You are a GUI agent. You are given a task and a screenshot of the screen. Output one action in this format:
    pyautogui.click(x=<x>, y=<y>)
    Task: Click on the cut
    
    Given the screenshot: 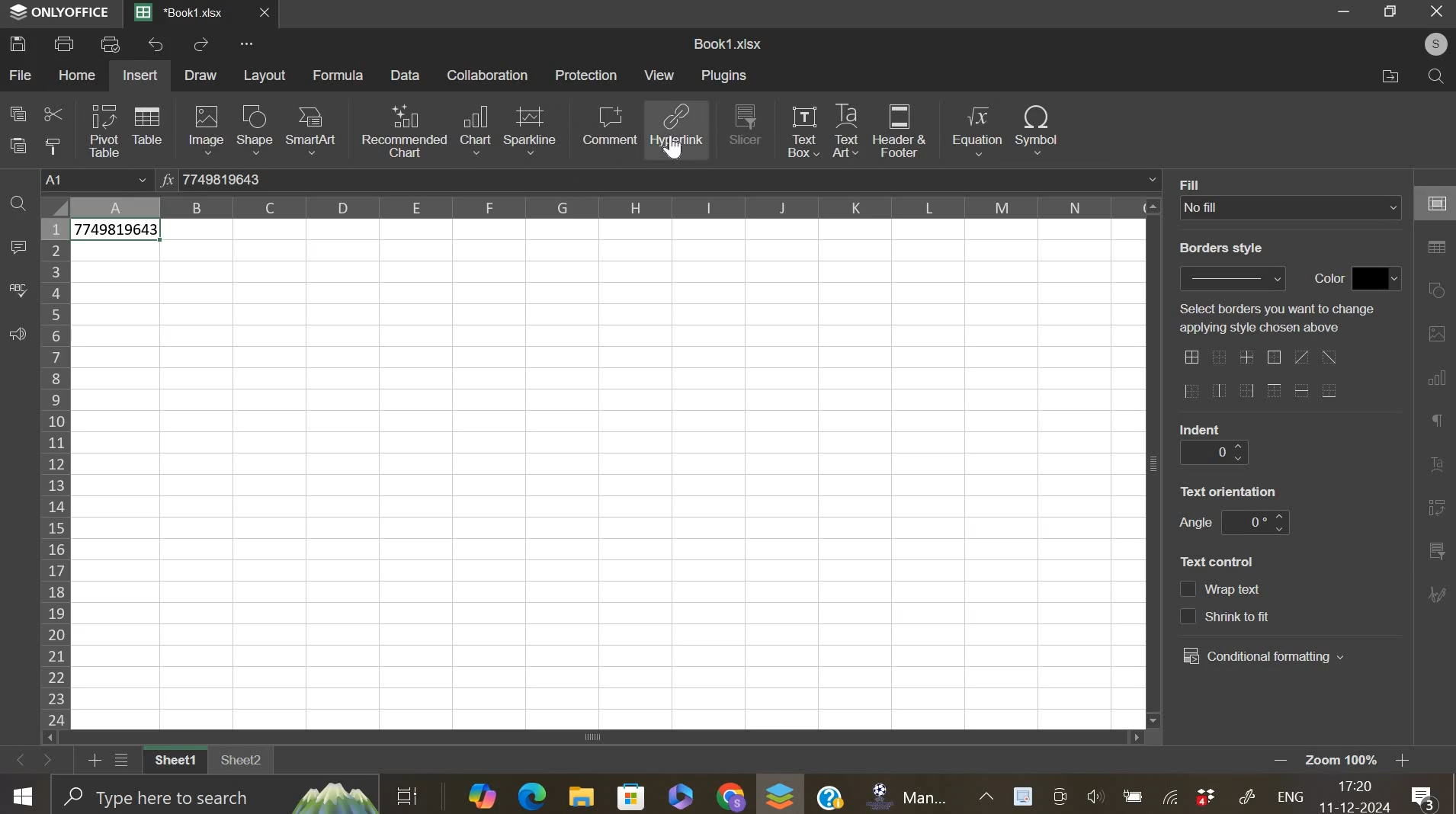 What is the action you would take?
    pyautogui.click(x=53, y=116)
    